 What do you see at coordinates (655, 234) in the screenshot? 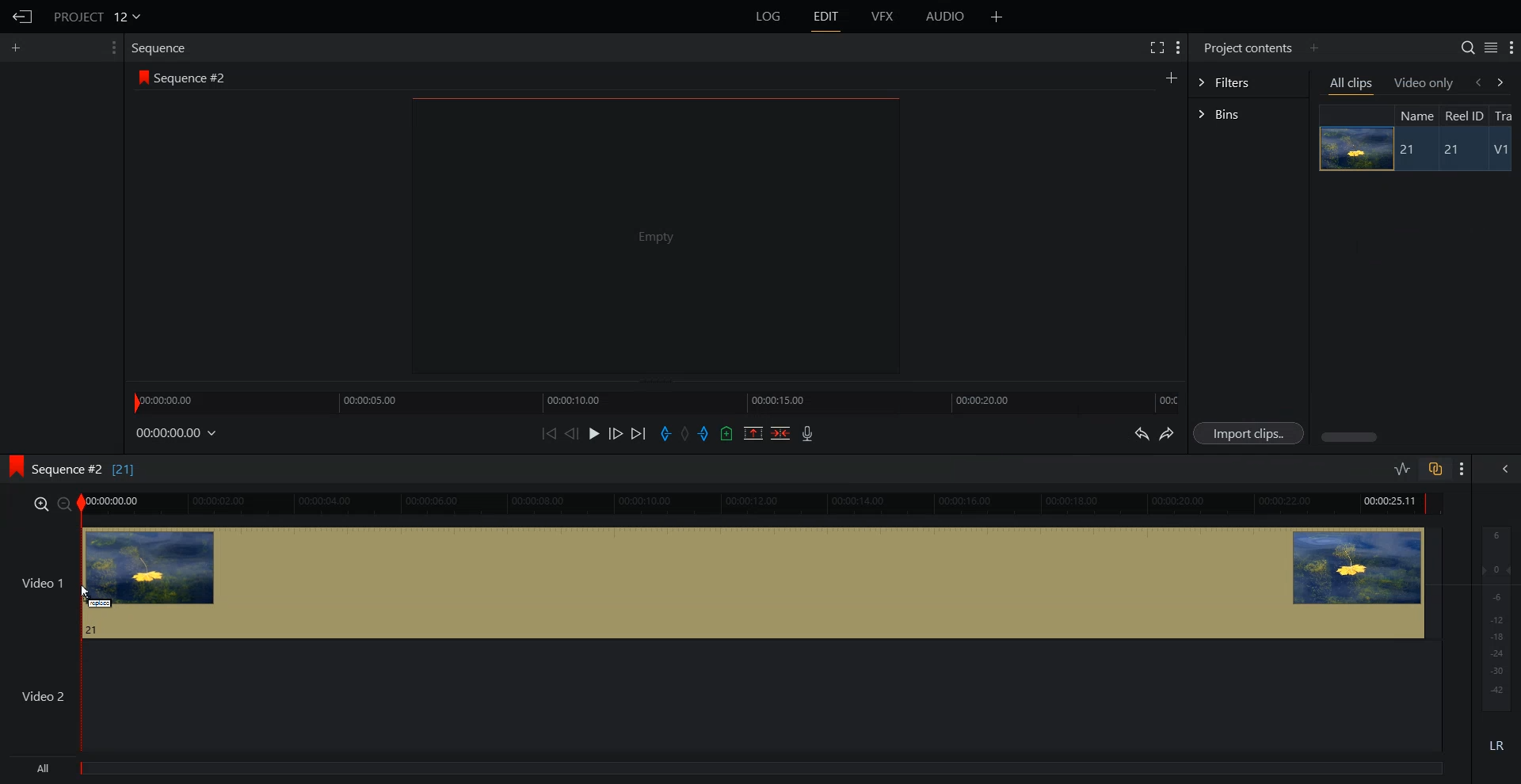
I see `File Preview` at bounding box center [655, 234].